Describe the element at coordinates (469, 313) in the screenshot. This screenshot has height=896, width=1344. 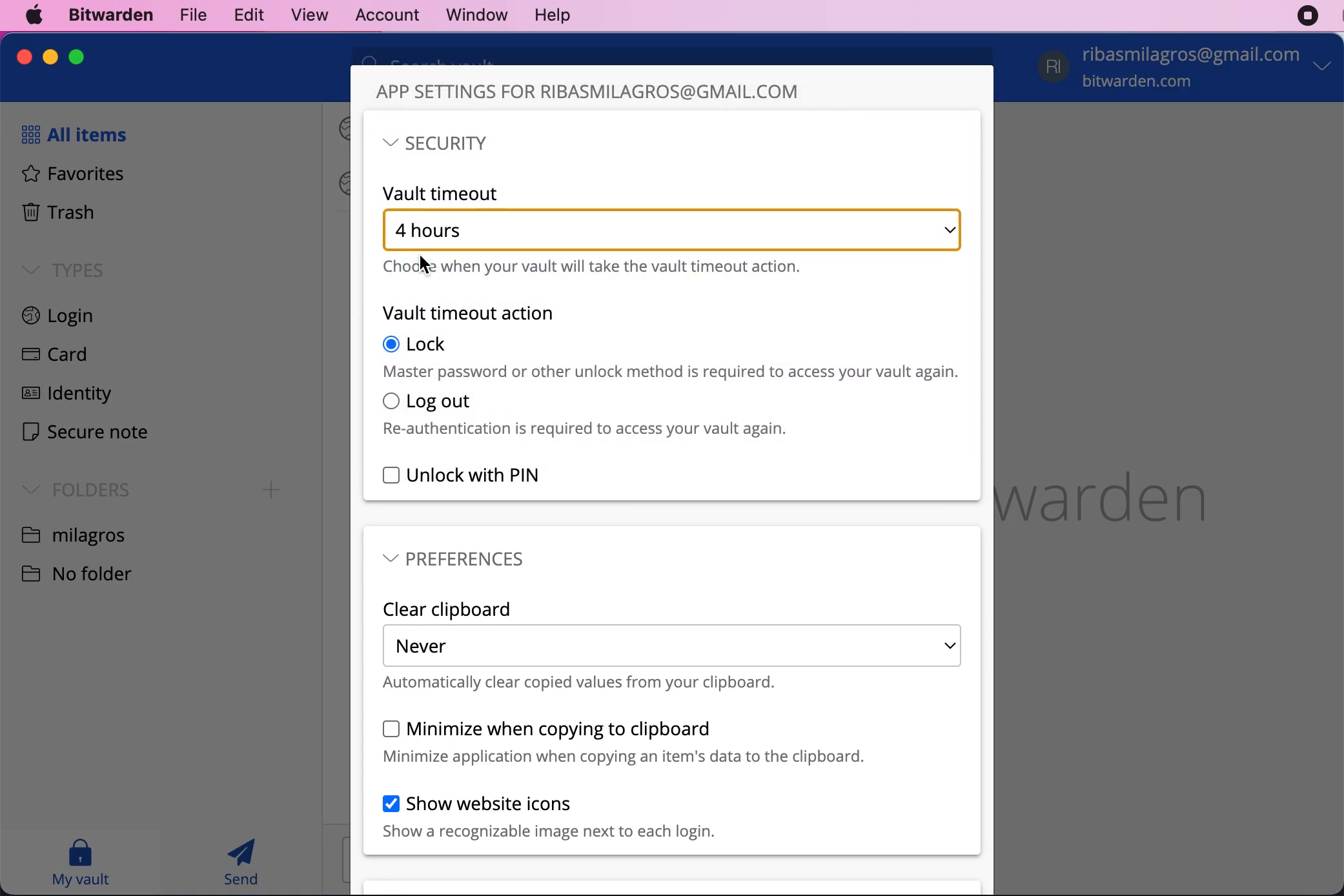
I see `vault timeout action` at that location.